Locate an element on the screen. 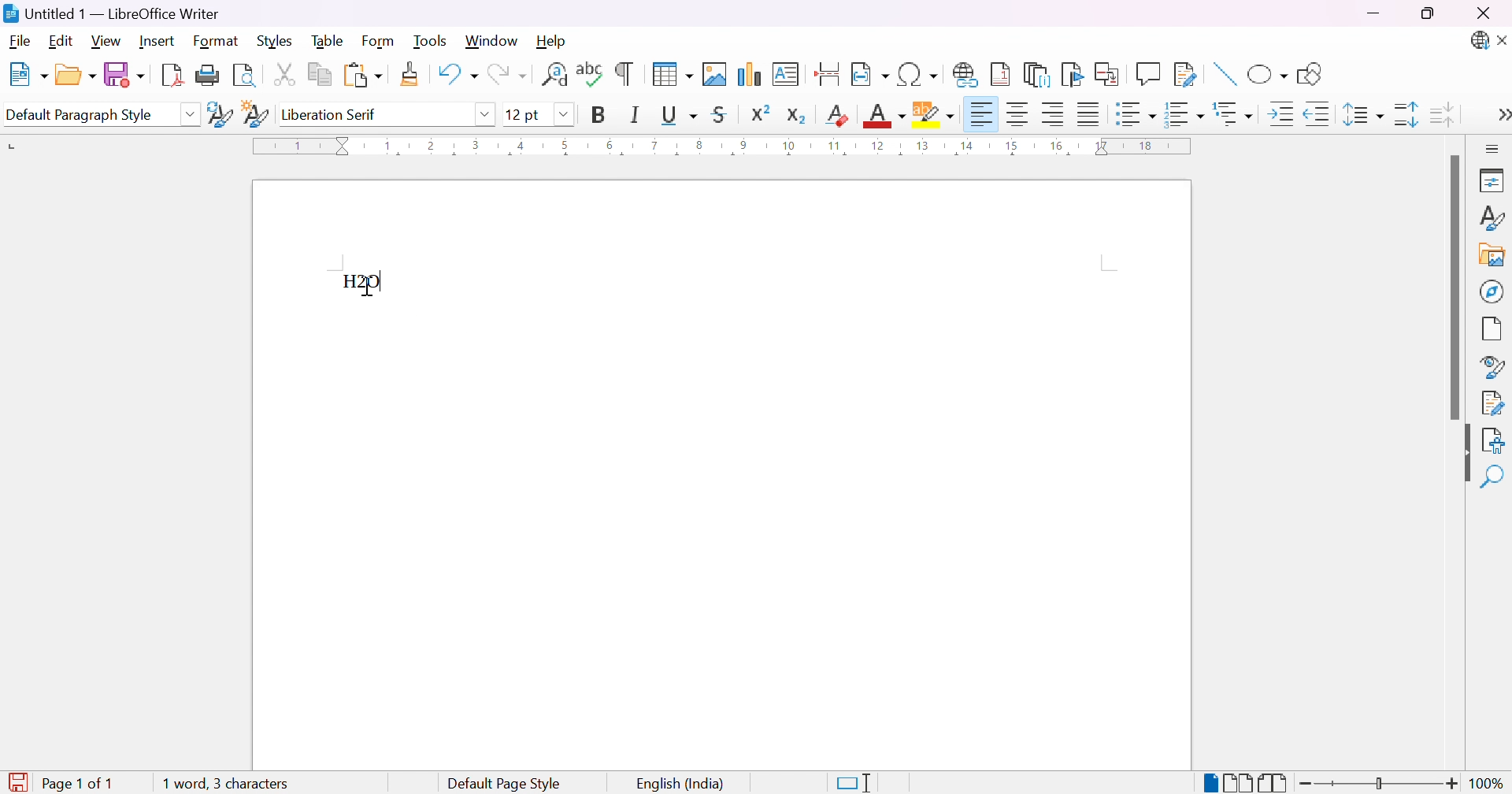 The width and height of the screenshot is (1512, 794). Insert hyperlink is located at coordinates (966, 74).